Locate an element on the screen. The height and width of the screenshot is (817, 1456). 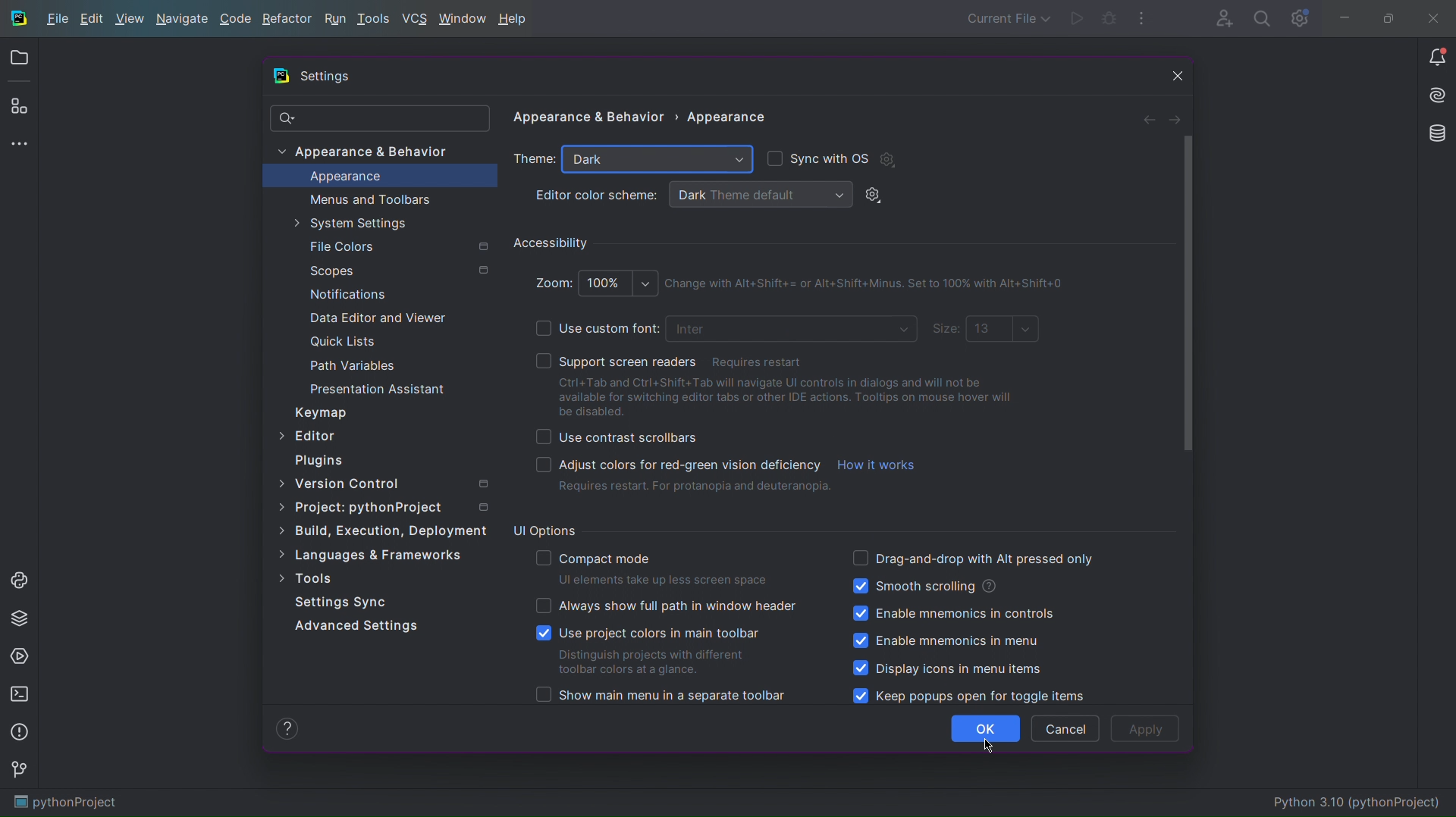
Dark is located at coordinates (657, 161).